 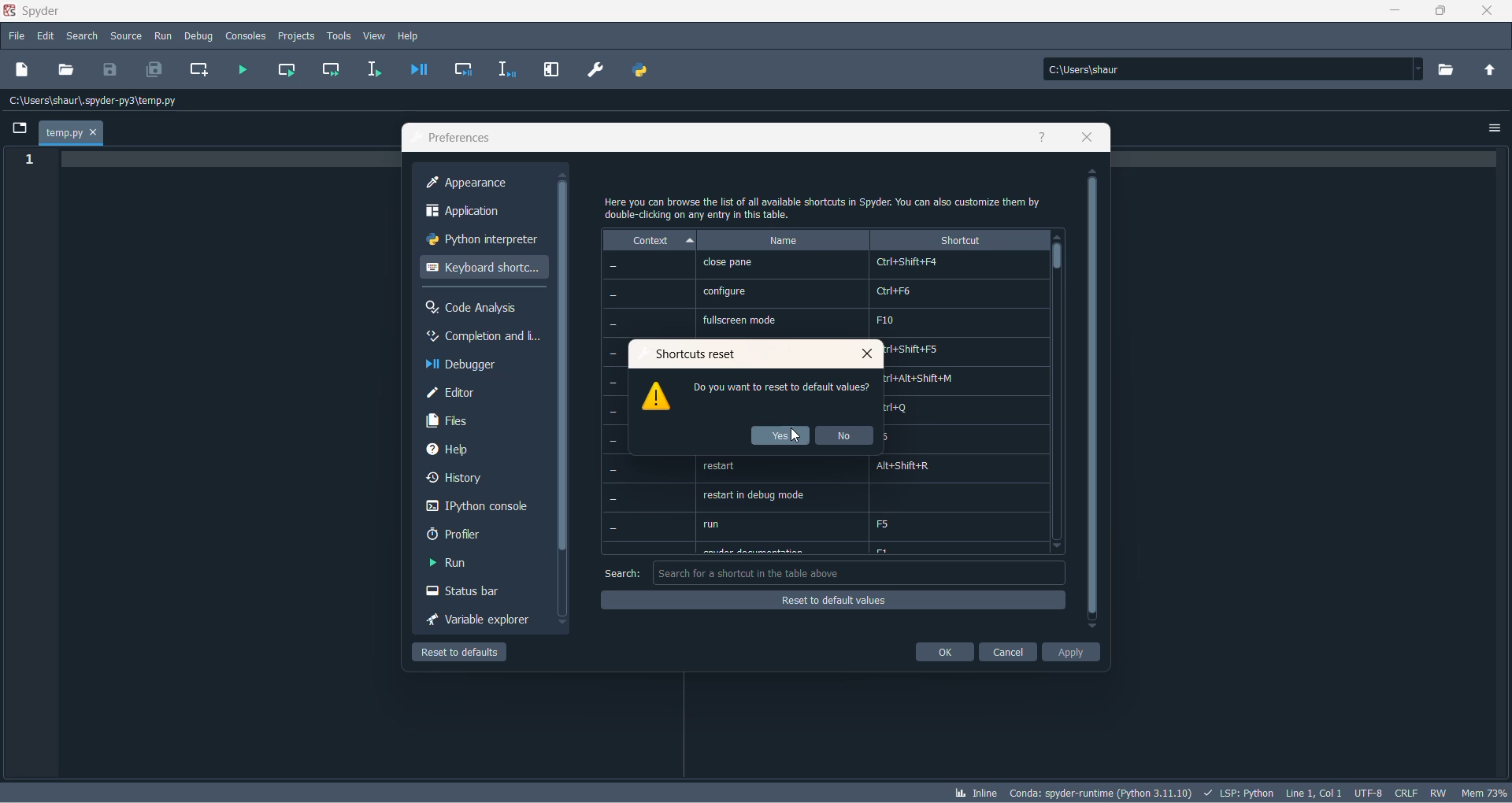 I want to click on PYTHON PATH MANAGER, so click(x=639, y=70).